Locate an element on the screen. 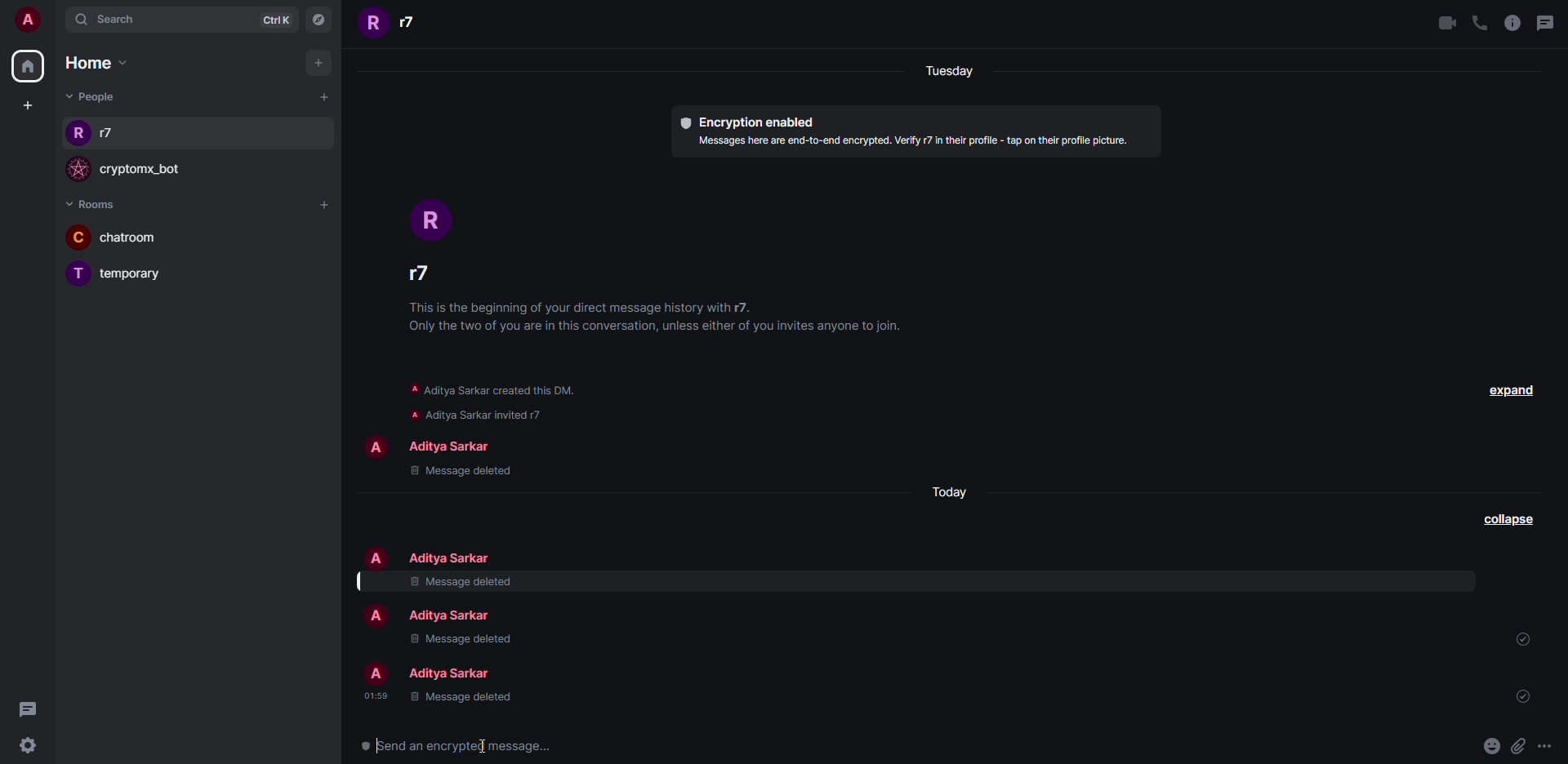 Image resolution: width=1568 pixels, height=764 pixels. expand is located at coordinates (1511, 388).